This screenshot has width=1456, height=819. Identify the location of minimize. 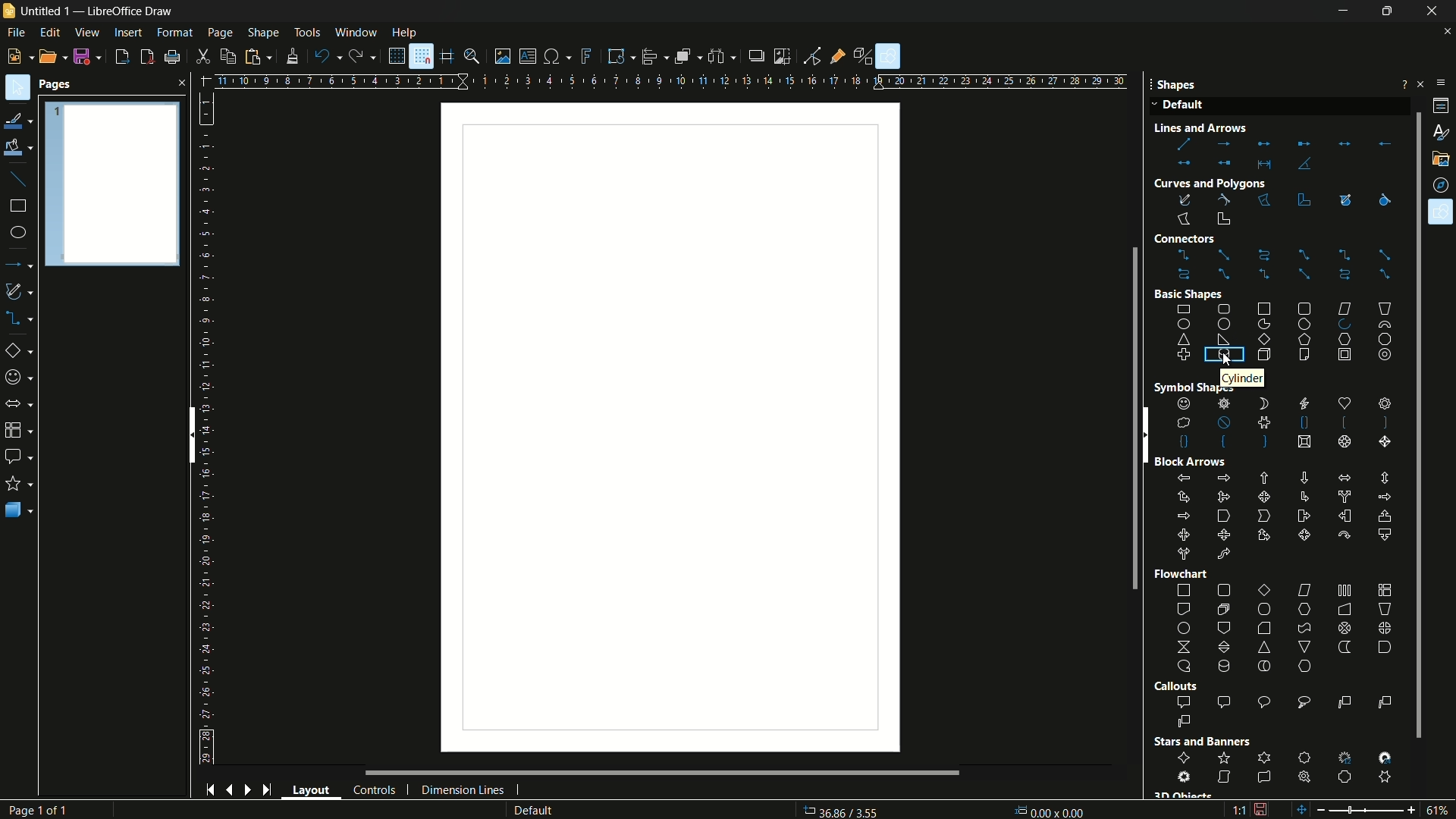
(1344, 12).